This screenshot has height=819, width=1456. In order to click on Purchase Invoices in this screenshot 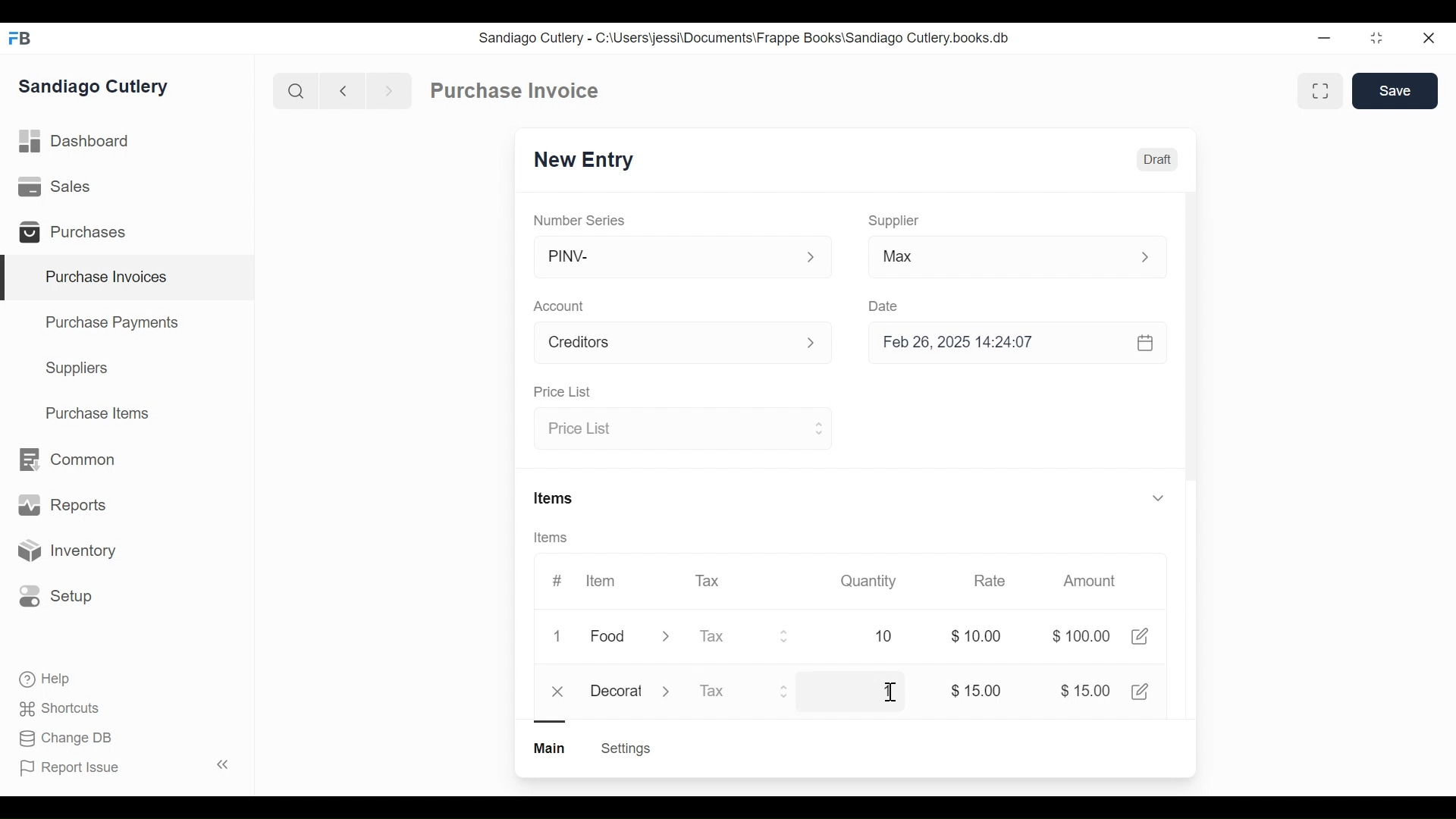, I will do `click(128, 278)`.